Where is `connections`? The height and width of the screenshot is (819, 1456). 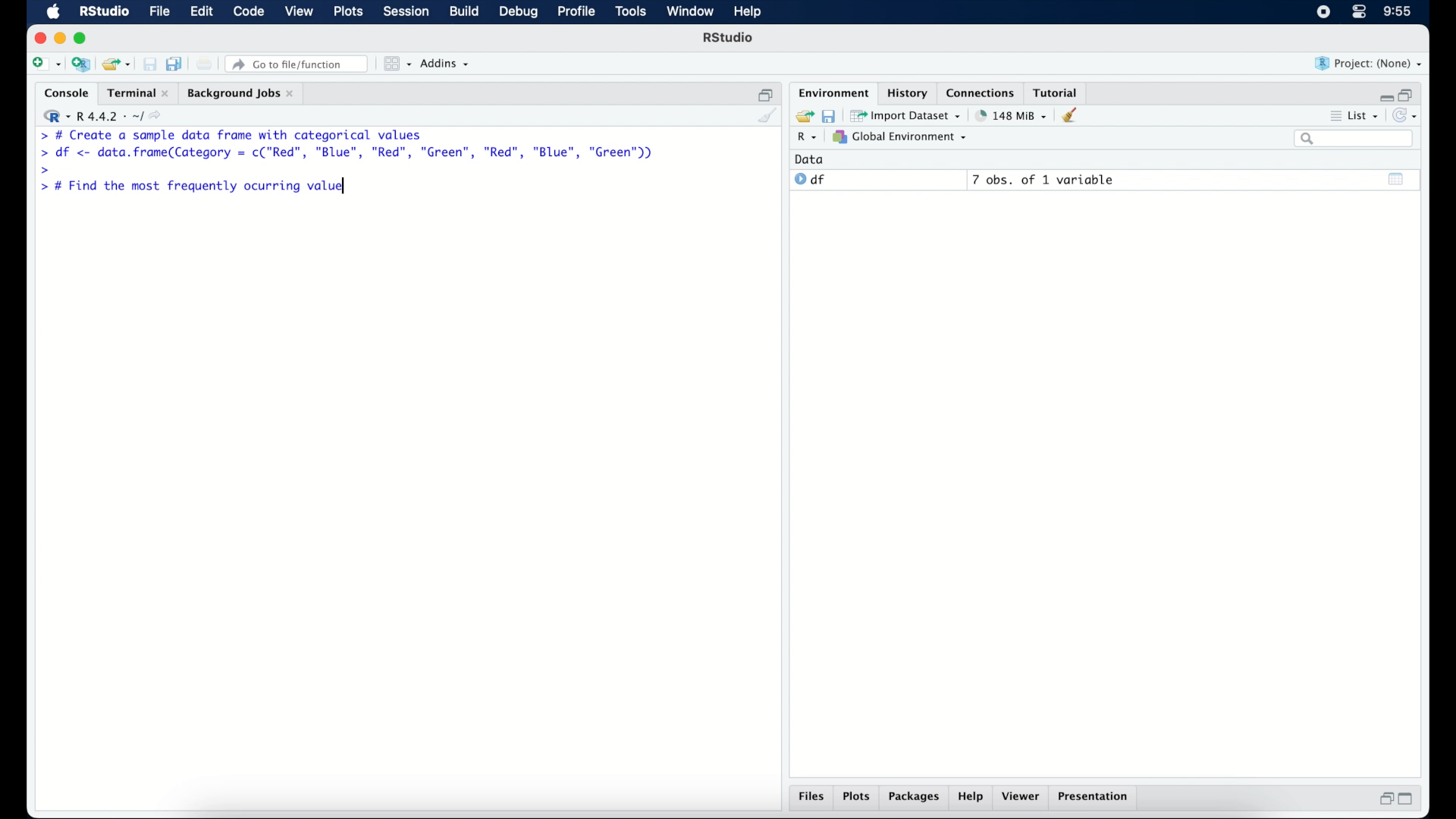 connections is located at coordinates (982, 92).